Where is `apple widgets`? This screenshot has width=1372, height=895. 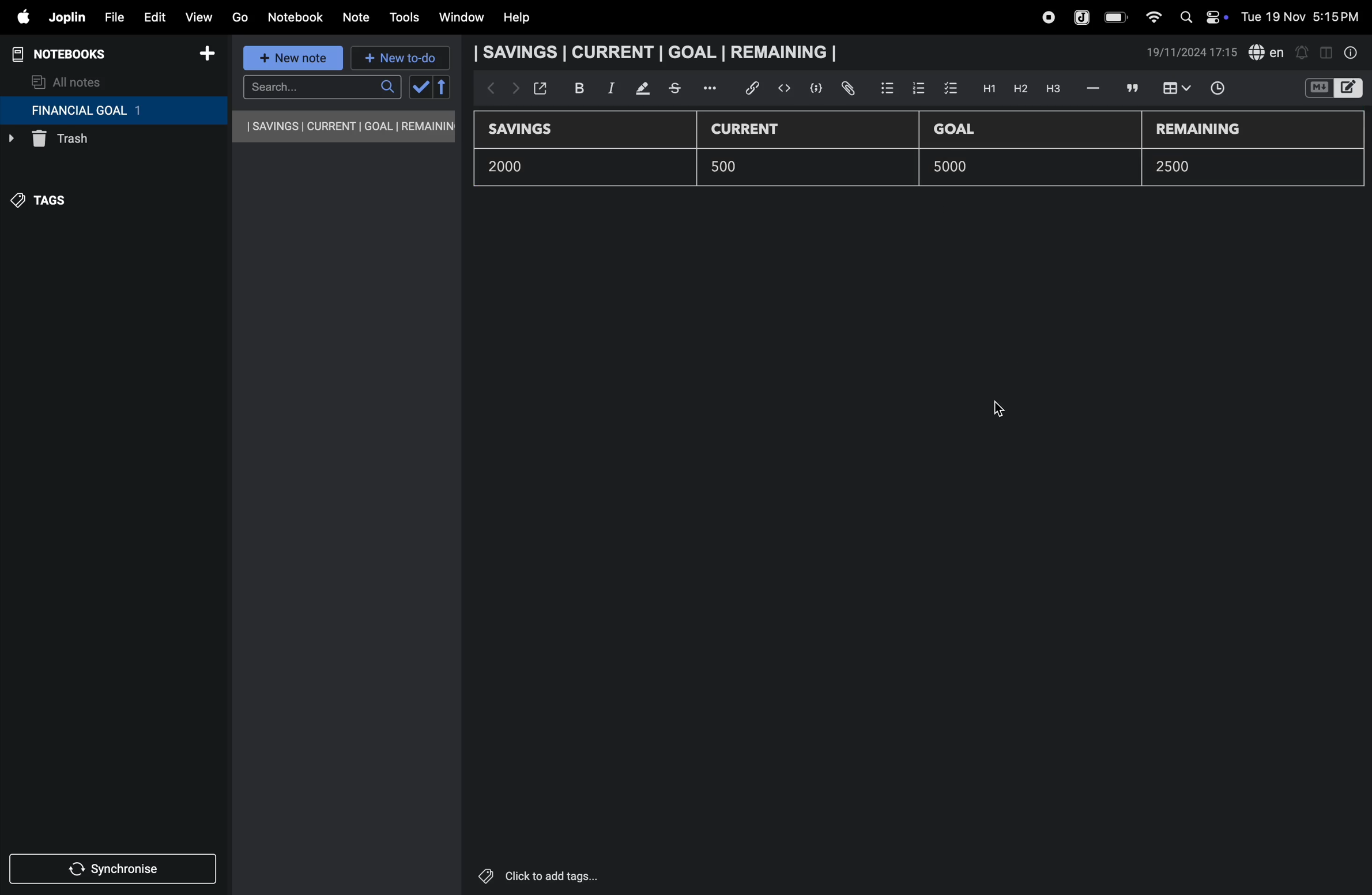
apple widgets is located at coordinates (1201, 16).